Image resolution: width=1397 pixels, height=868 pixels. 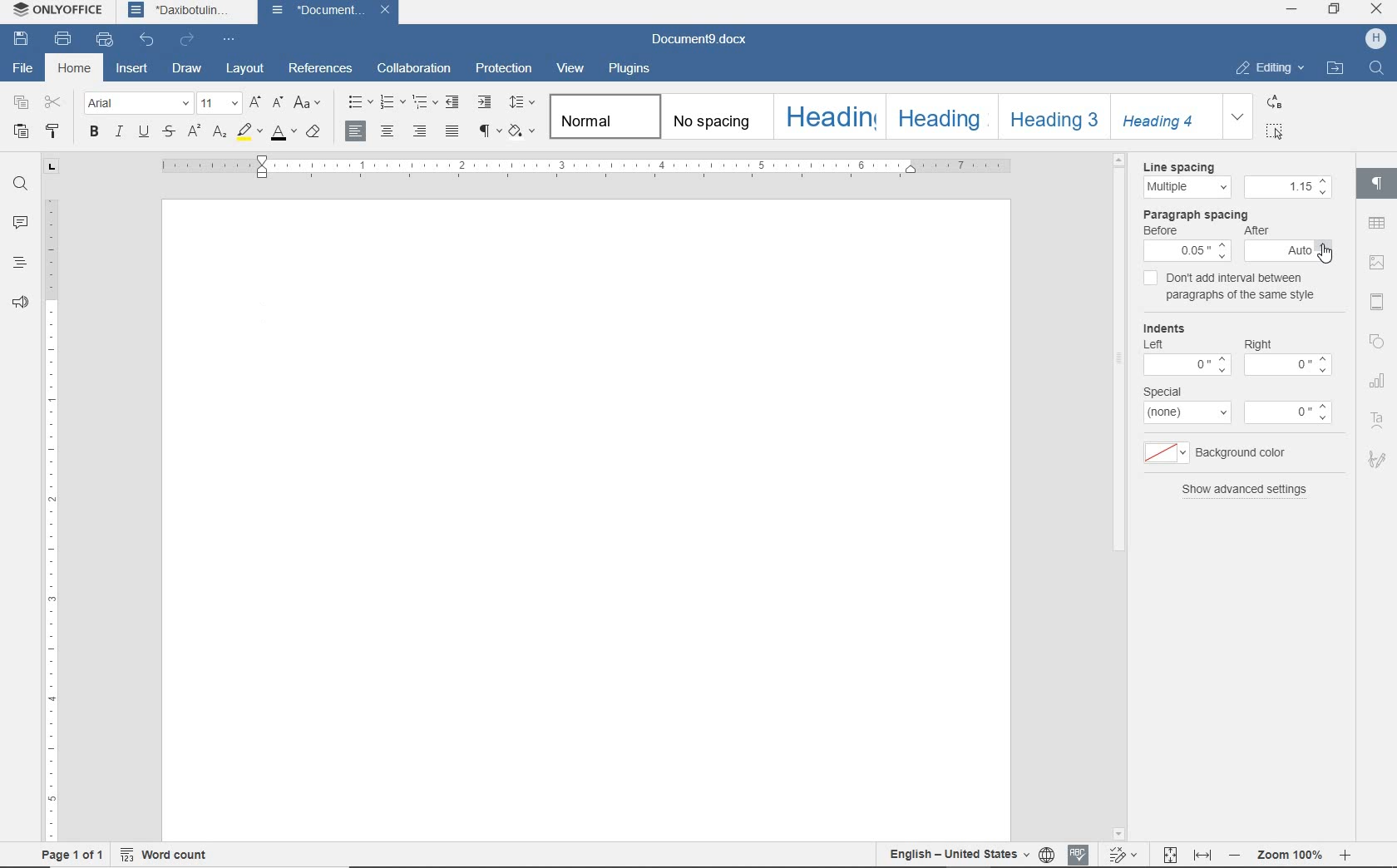 I want to click on signature, so click(x=1377, y=462).